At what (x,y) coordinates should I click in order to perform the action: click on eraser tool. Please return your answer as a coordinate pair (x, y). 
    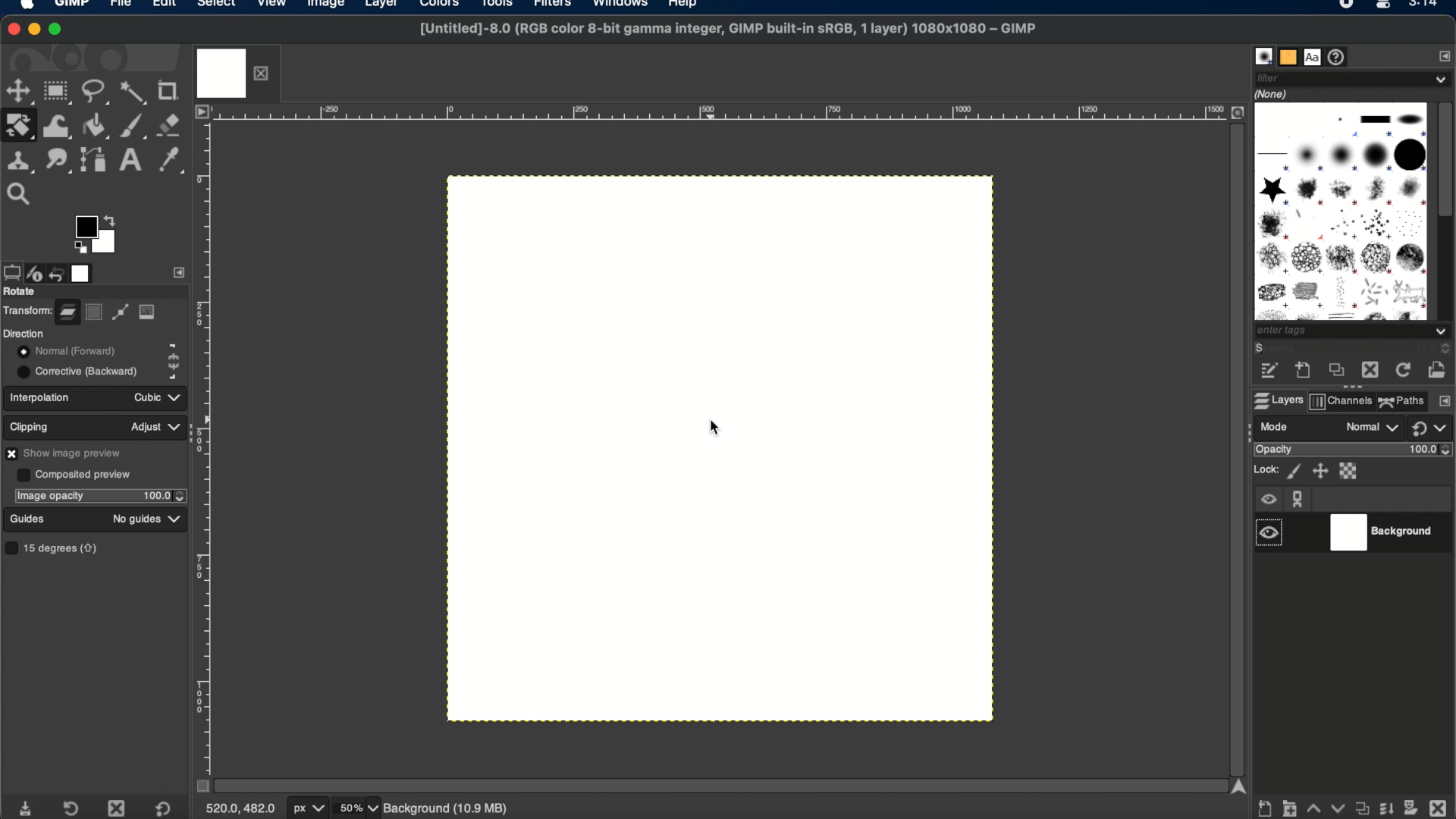
    Looking at the image, I should click on (171, 125).